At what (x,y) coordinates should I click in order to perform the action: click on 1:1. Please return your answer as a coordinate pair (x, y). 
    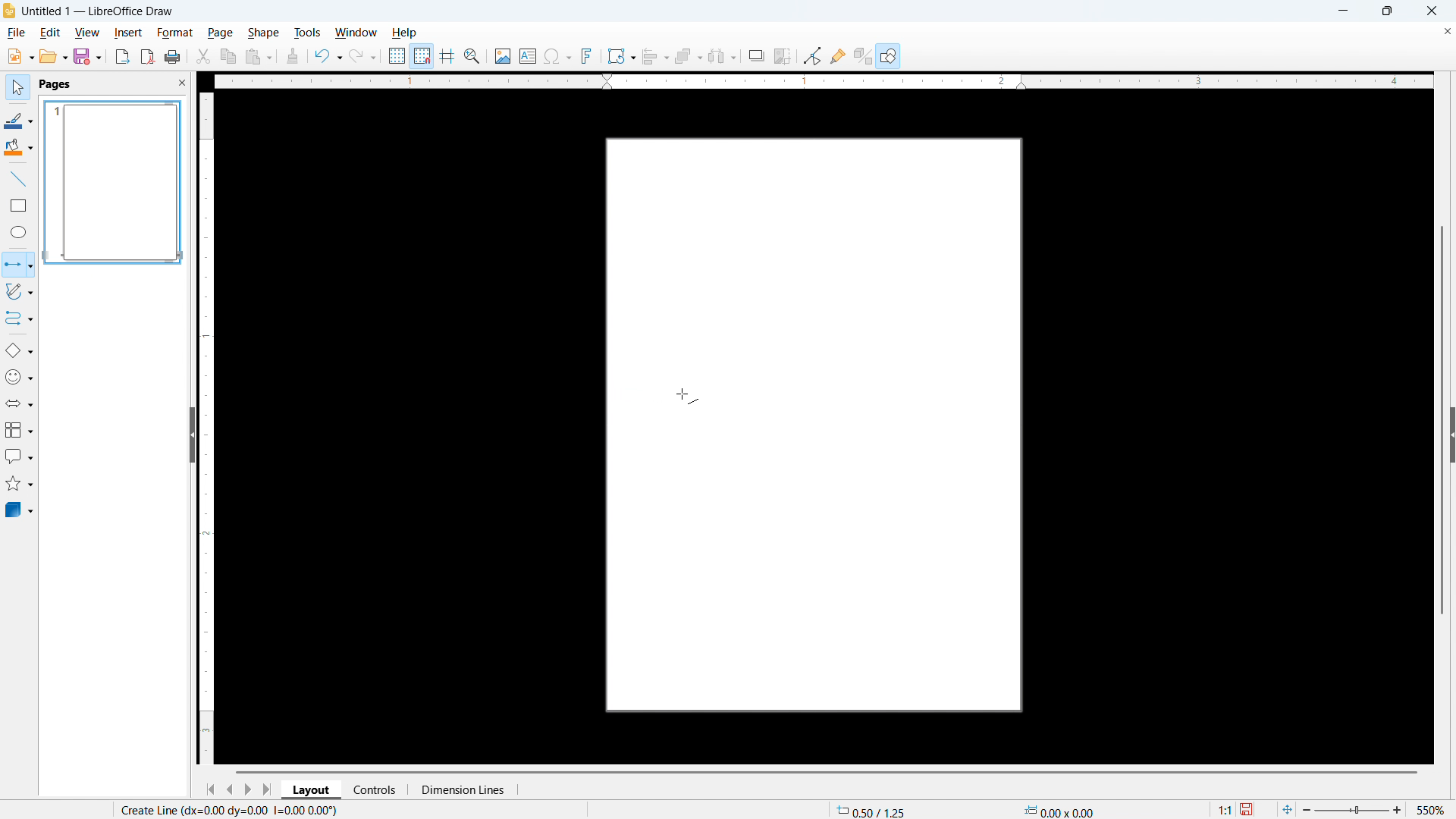
    Looking at the image, I should click on (1218, 808).